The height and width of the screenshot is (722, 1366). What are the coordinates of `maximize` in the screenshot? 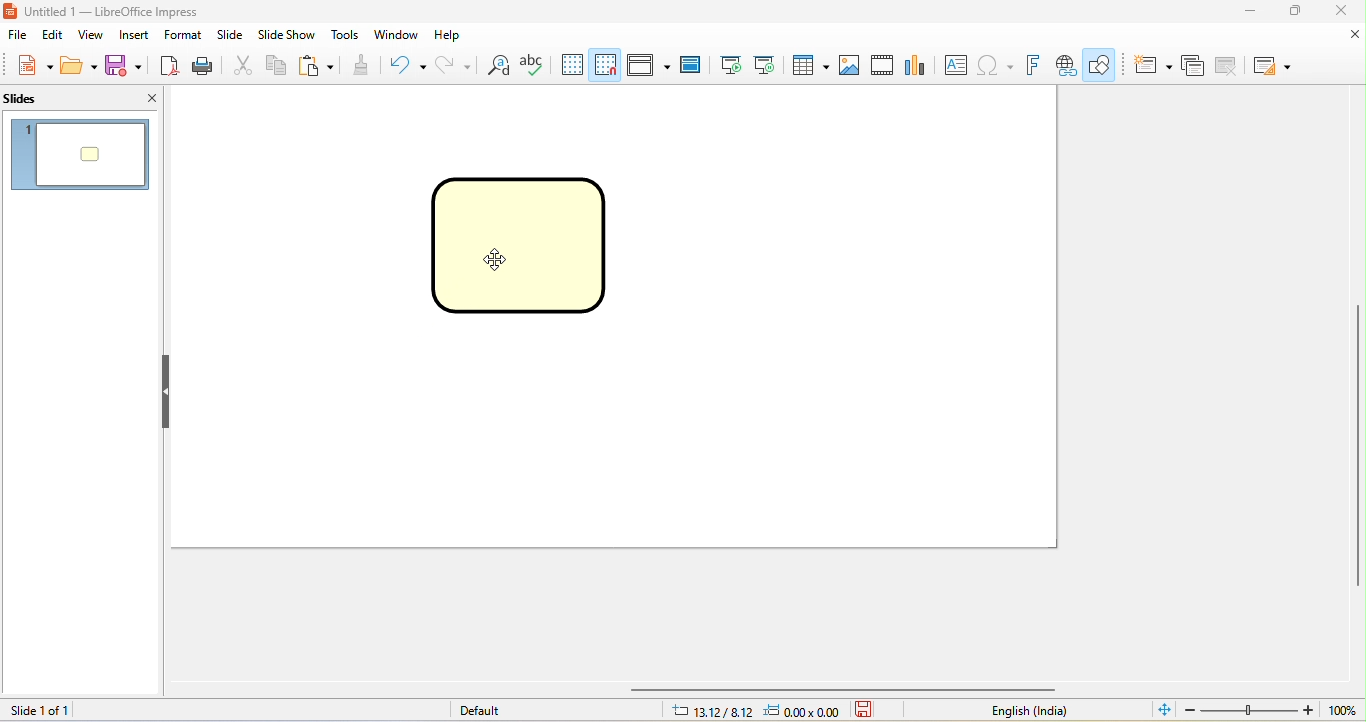 It's located at (1296, 11).